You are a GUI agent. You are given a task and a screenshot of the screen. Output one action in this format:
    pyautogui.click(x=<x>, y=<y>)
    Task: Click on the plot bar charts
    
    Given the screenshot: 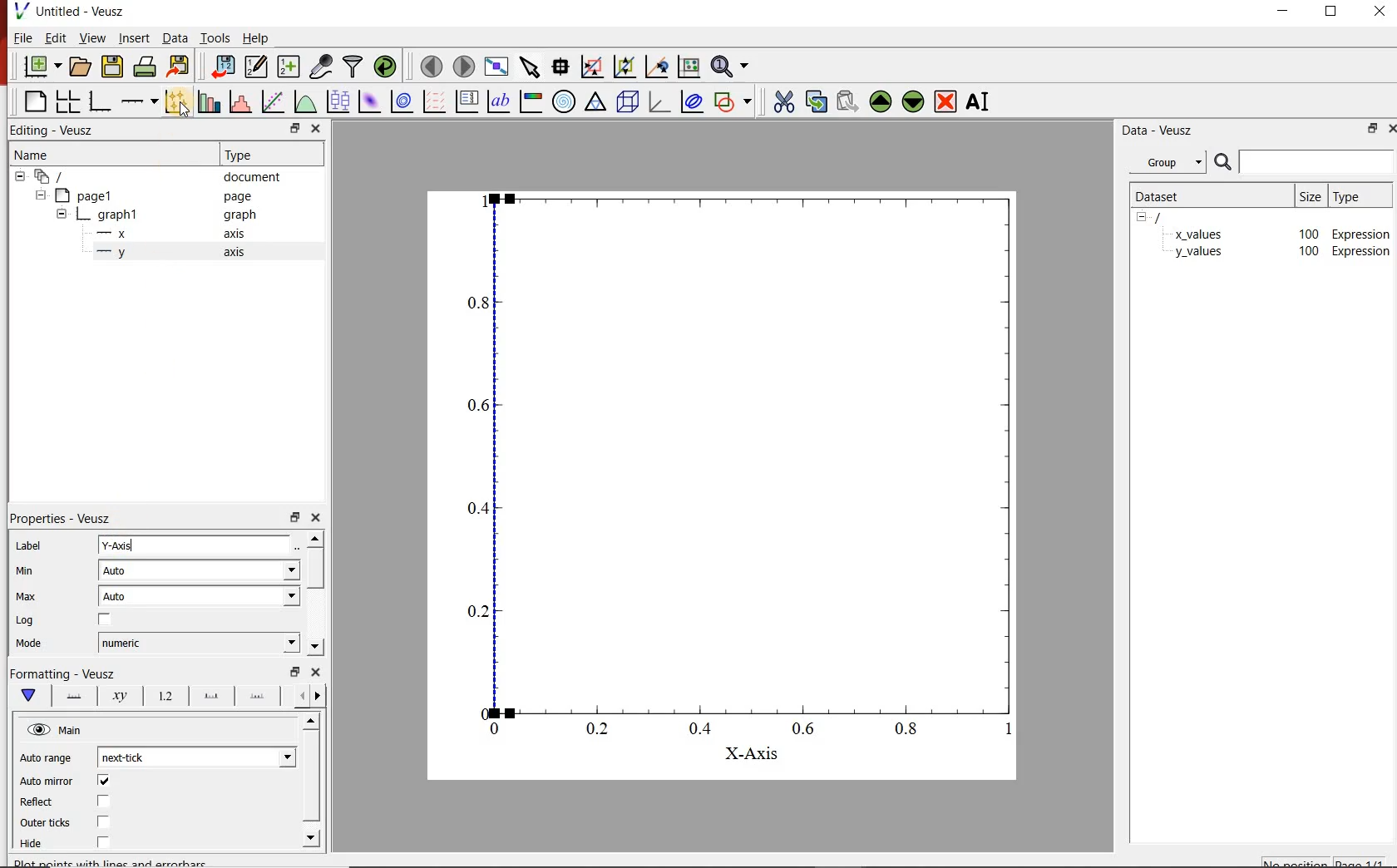 What is the action you would take?
    pyautogui.click(x=209, y=101)
    